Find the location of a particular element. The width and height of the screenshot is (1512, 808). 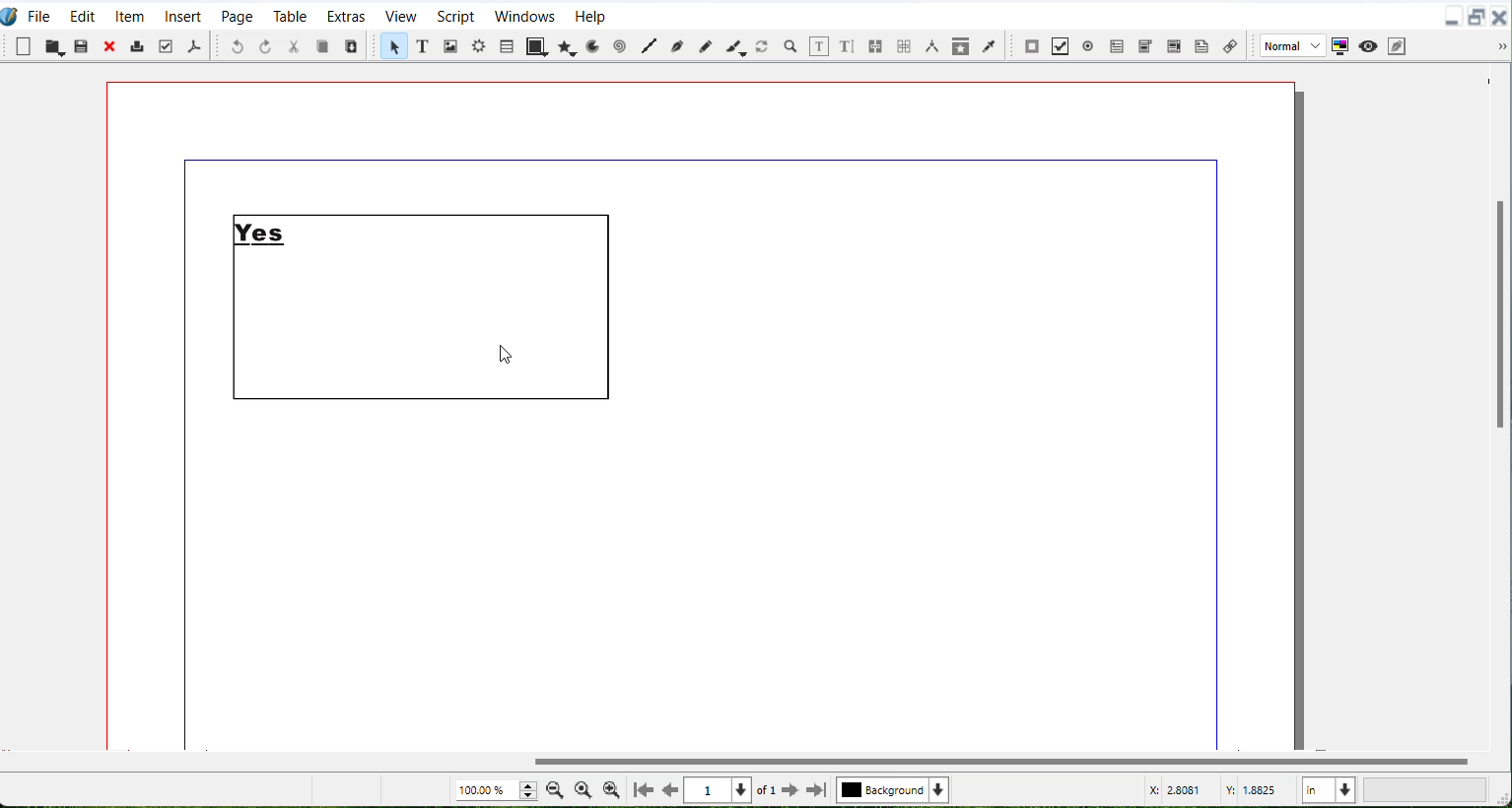

Calligraphic line is located at coordinates (736, 46).